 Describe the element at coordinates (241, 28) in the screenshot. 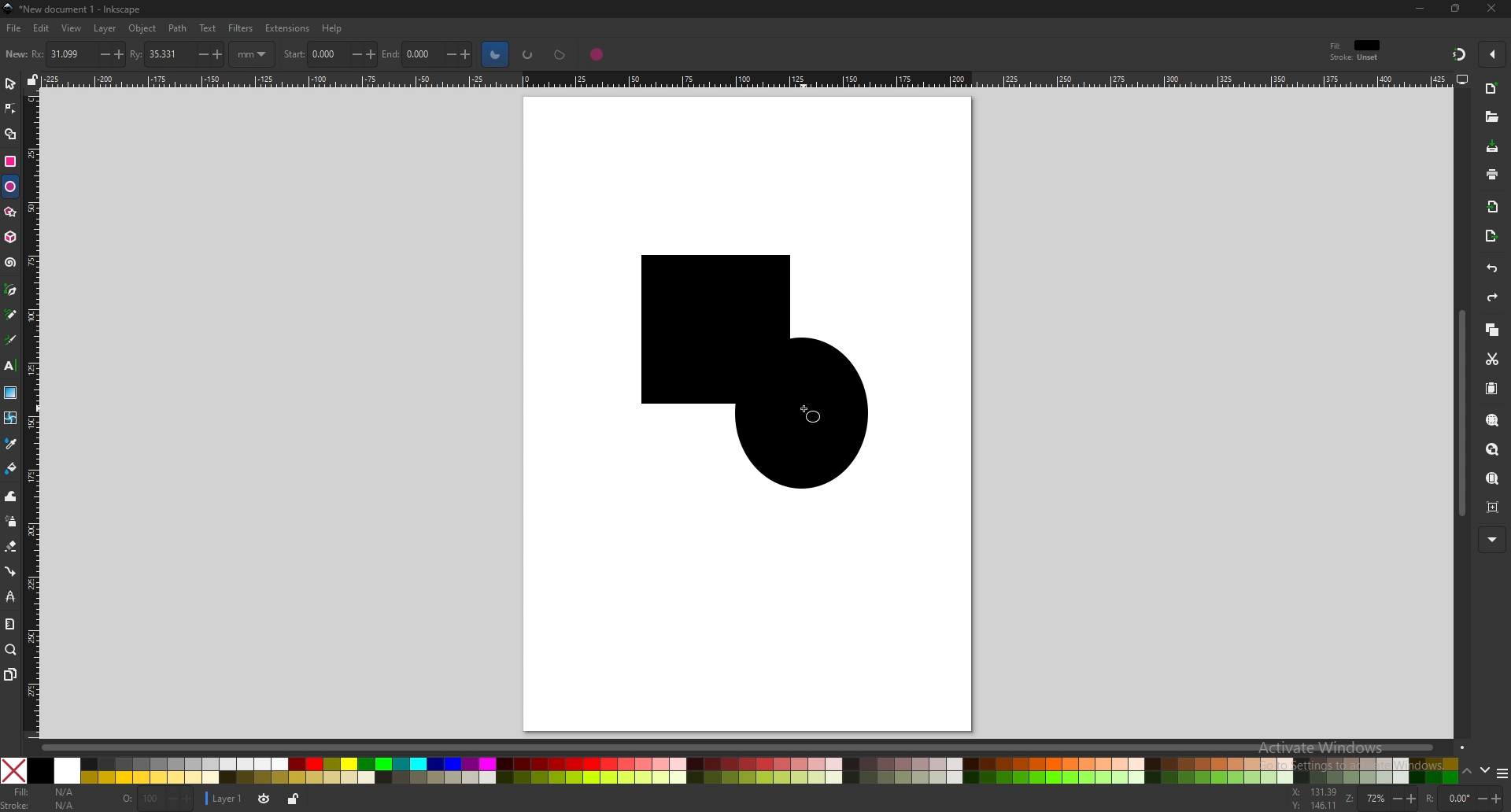

I see `filters` at that location.